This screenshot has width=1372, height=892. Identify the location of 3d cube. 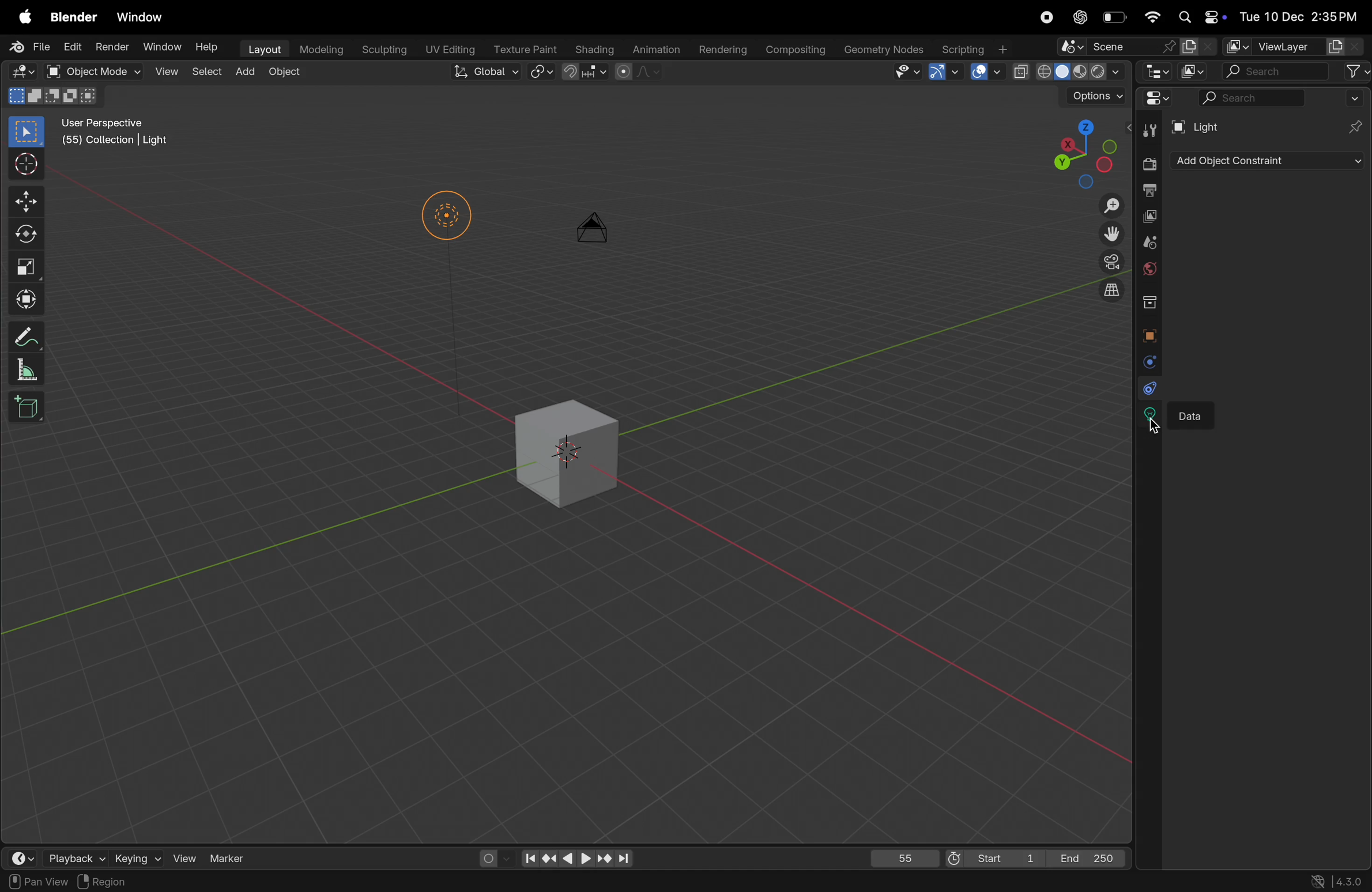
(570, 447).